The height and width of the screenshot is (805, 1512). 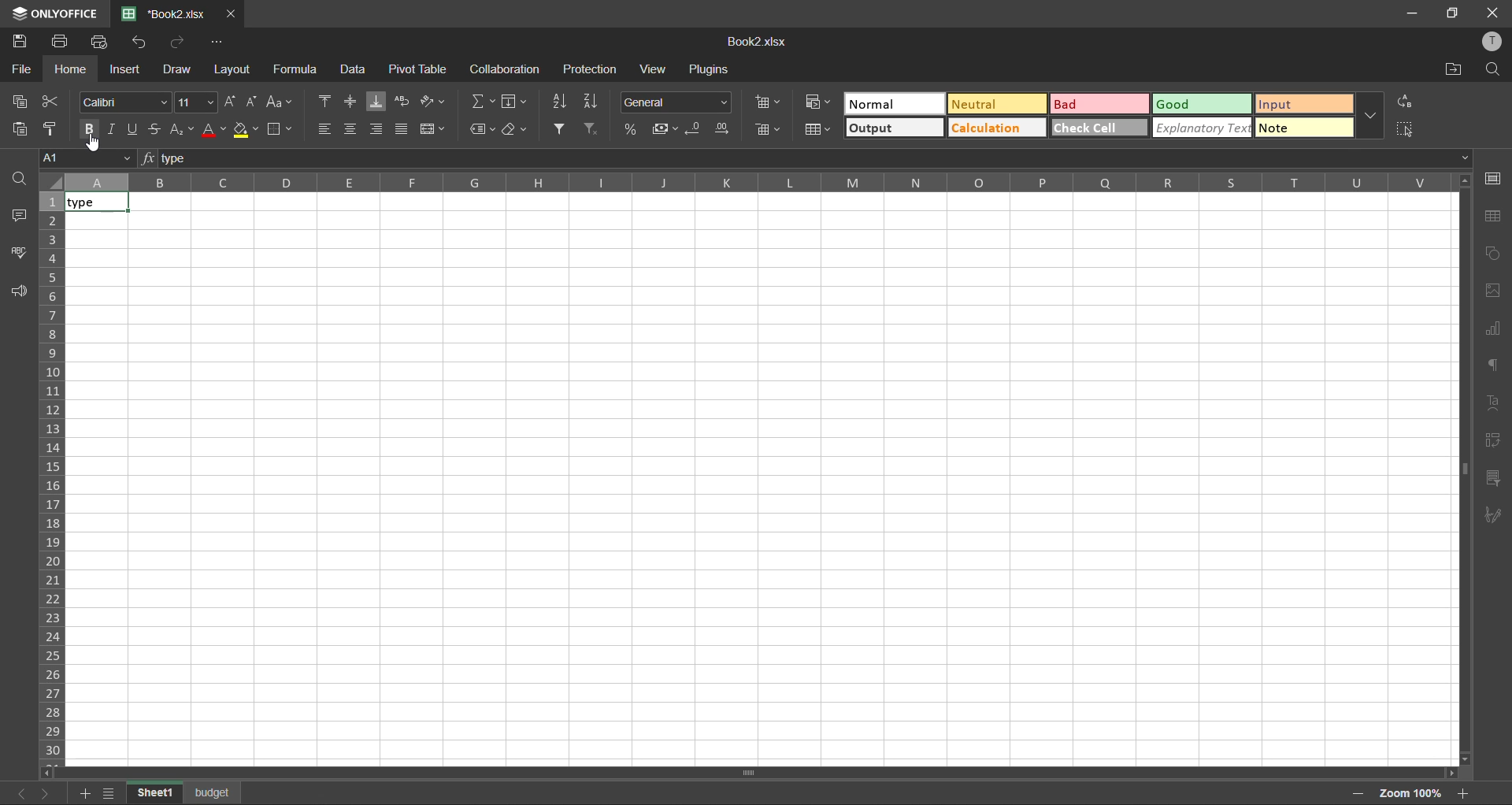 I want to click on calculation, so click(x=995, y=128).